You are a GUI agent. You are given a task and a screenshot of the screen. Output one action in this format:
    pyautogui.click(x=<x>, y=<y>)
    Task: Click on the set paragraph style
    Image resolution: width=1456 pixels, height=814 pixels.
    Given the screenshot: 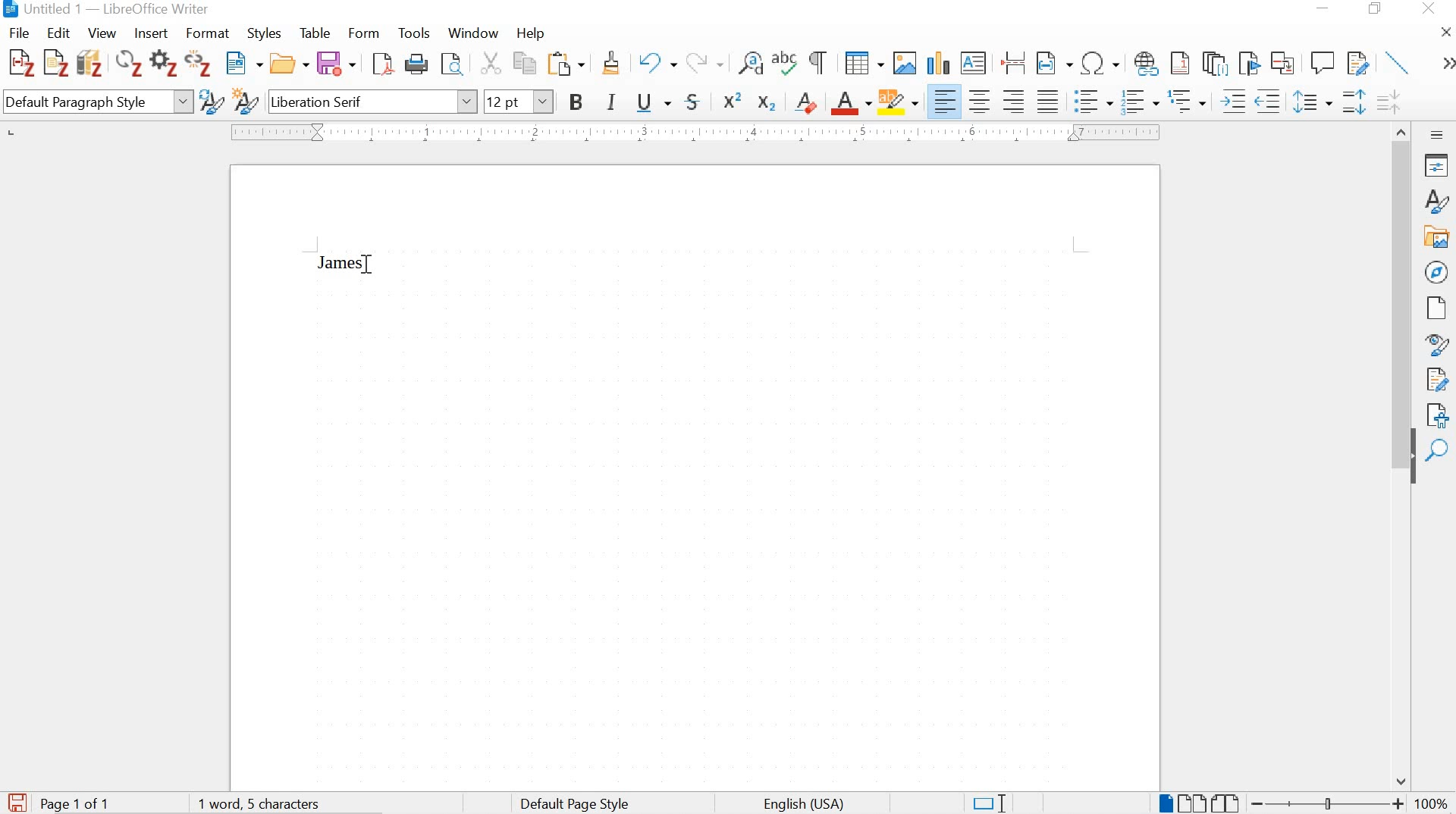 What is the action you would take?
    pyautogui.click(x=97, y=101)
    